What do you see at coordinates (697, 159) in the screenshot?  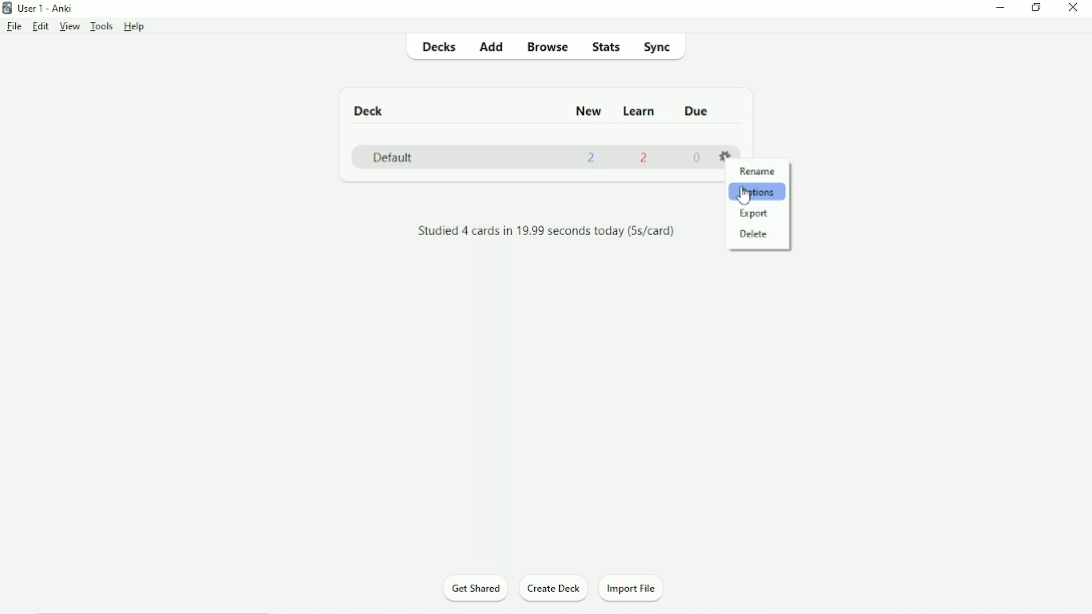 I see `0` at bounding box center [697, 159].